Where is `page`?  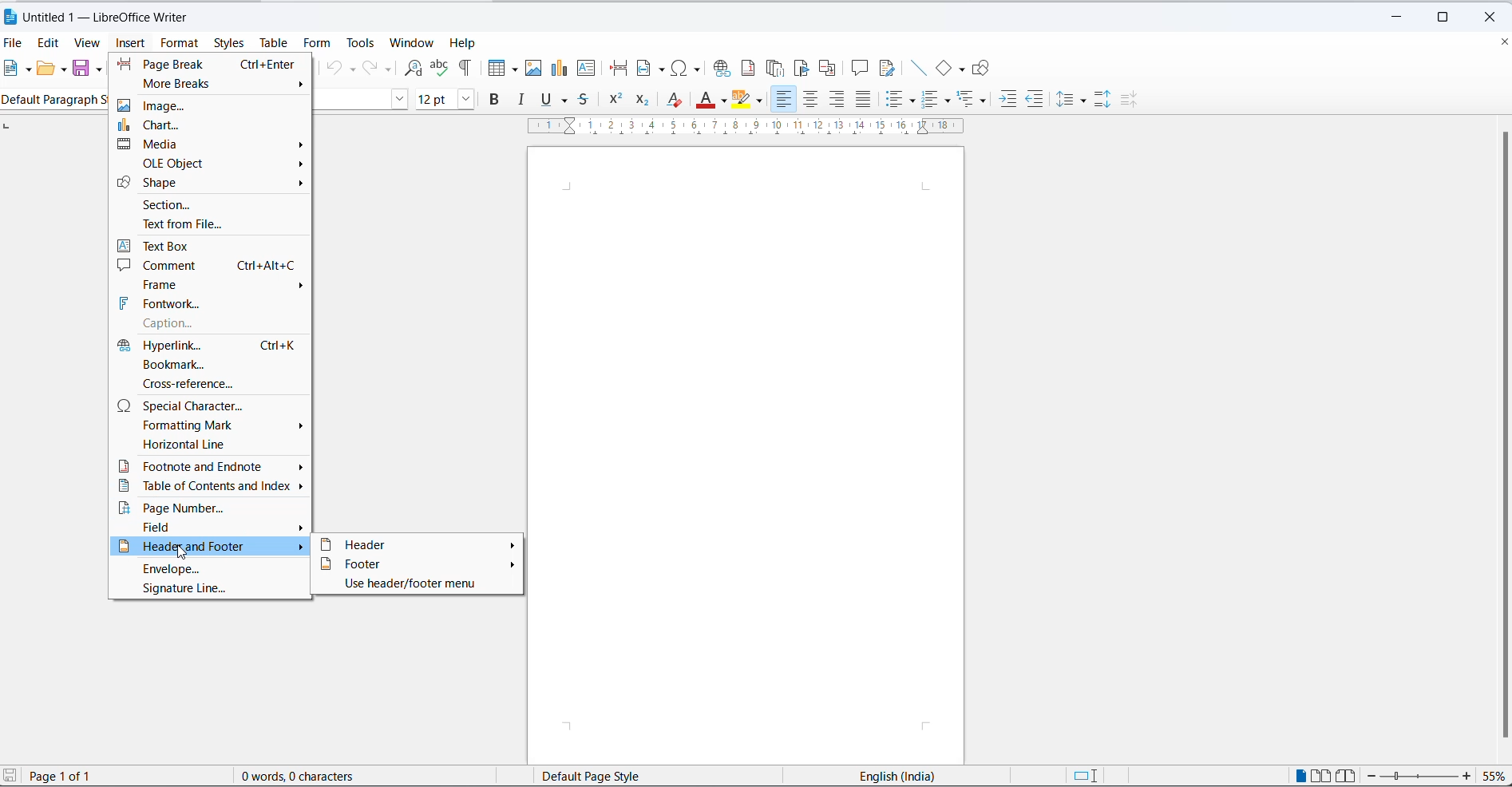
page is located at coordinates (745, 452).